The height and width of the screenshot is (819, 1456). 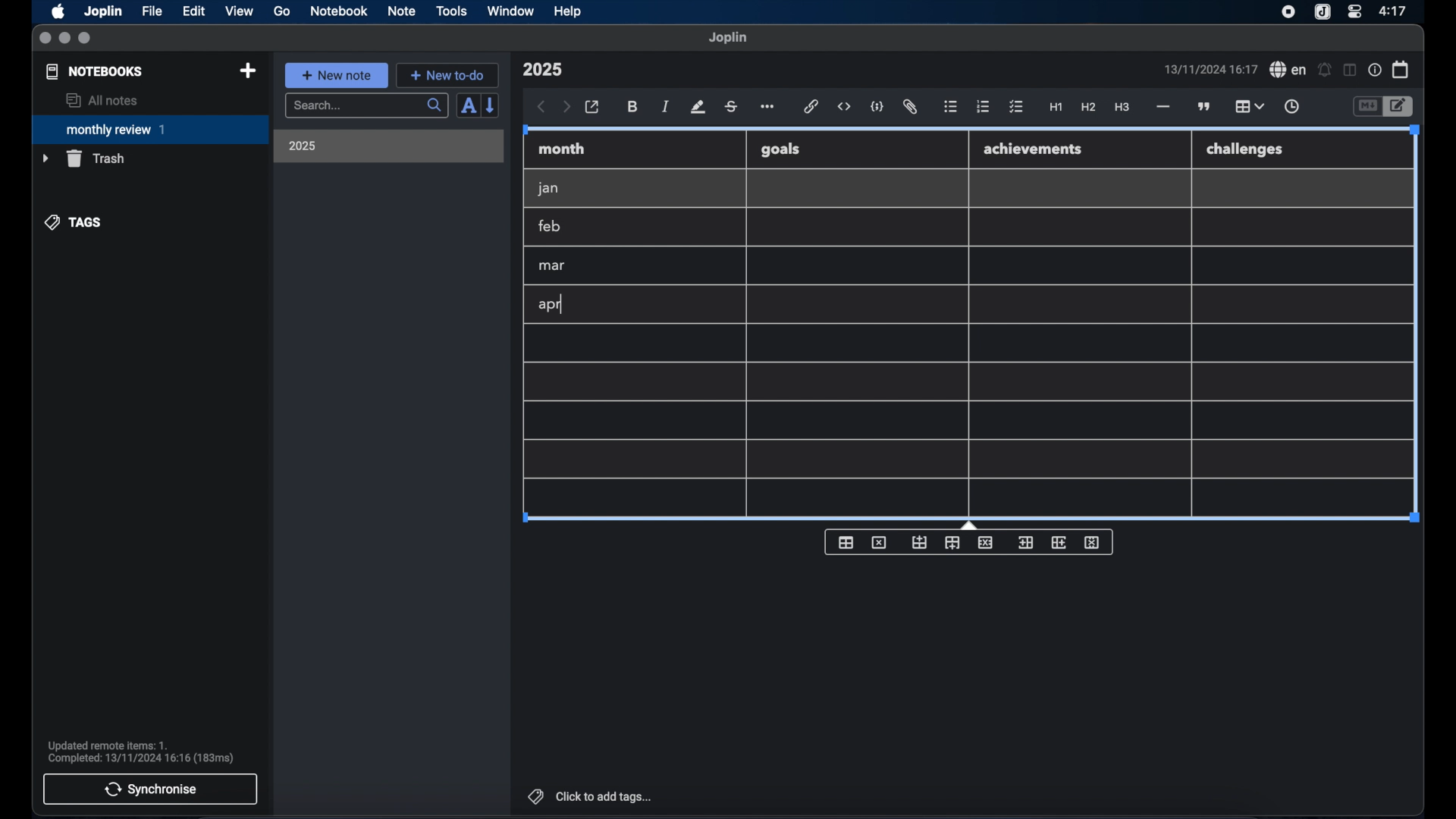 I want to click on notebook, so click(x=339, y=11).